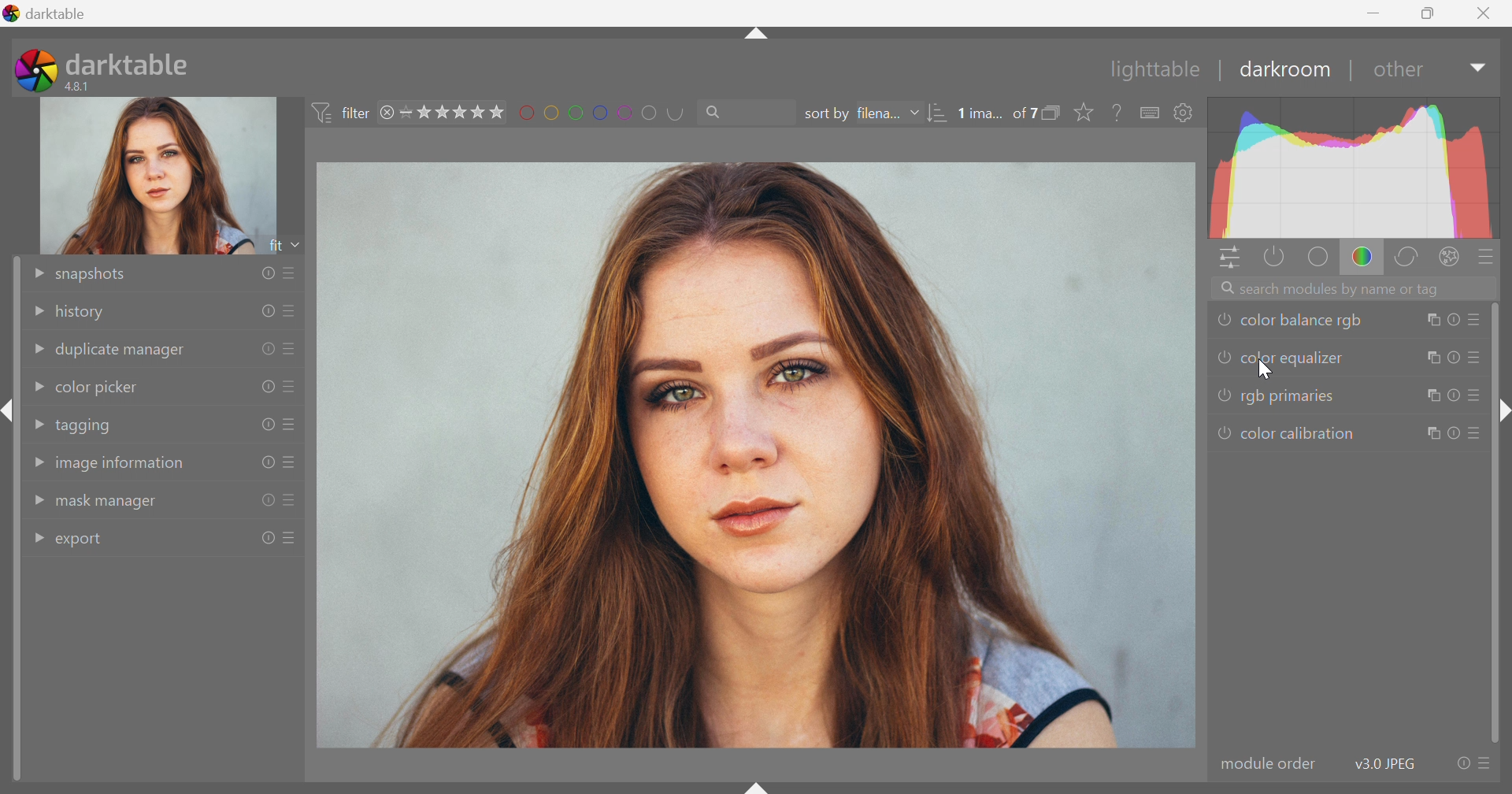 This screenshot has width=1512, height=794. I want to click on other, so click(1397, 72).